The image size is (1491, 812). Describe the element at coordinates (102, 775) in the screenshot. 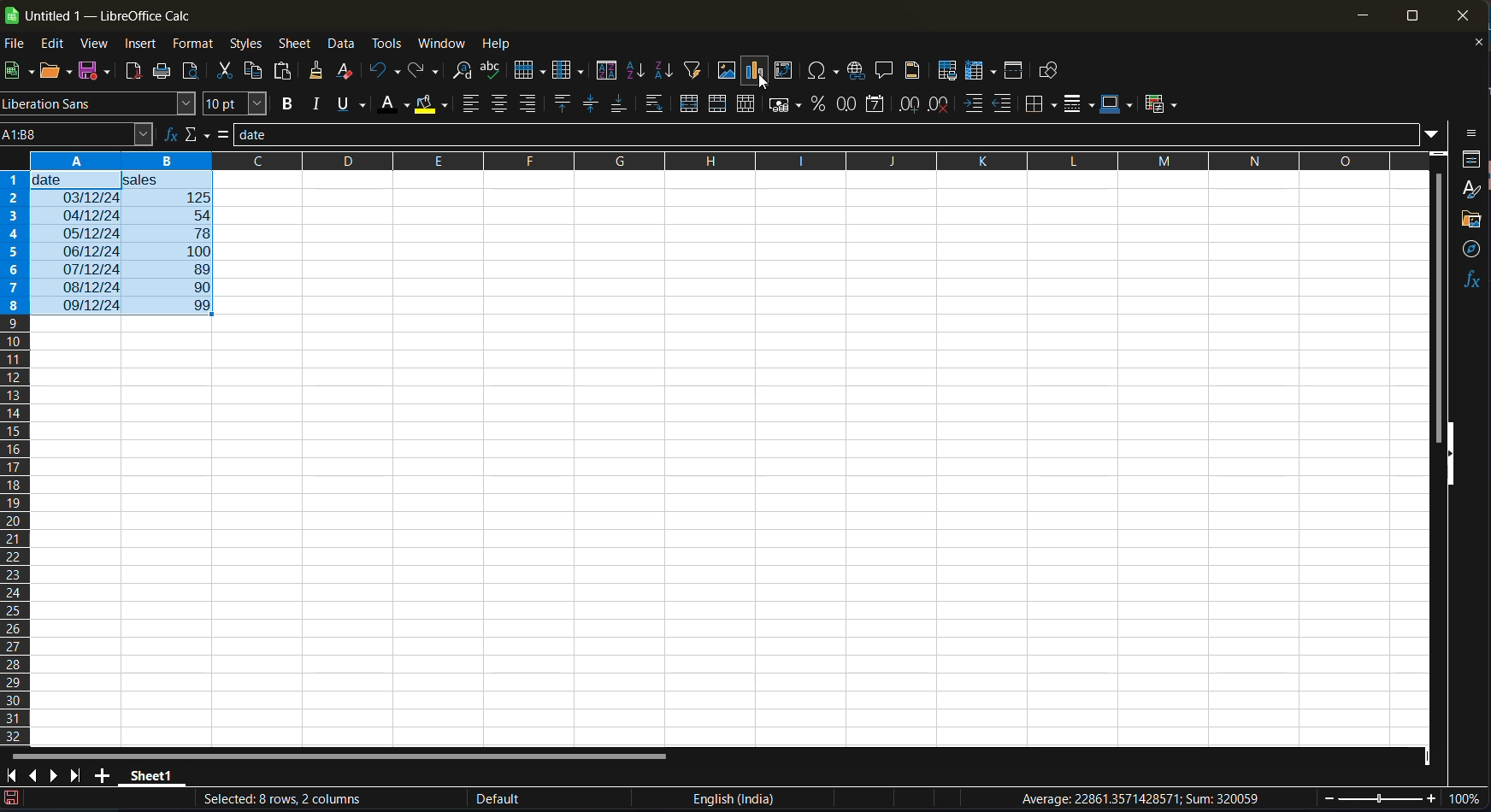

I see `add a new sheet` at that location.